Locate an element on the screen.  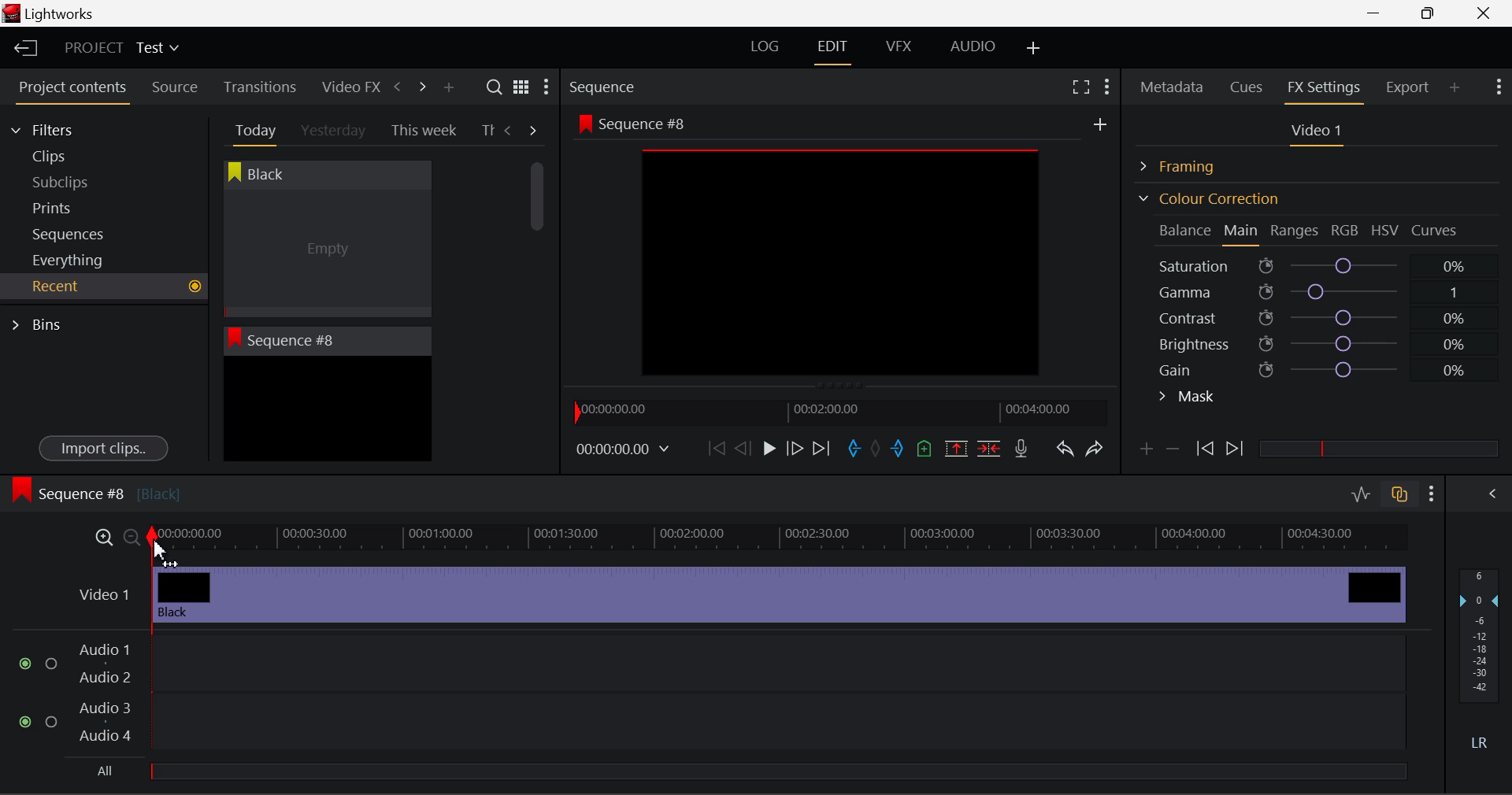
Minimize is located at coordinates (1432, 13).